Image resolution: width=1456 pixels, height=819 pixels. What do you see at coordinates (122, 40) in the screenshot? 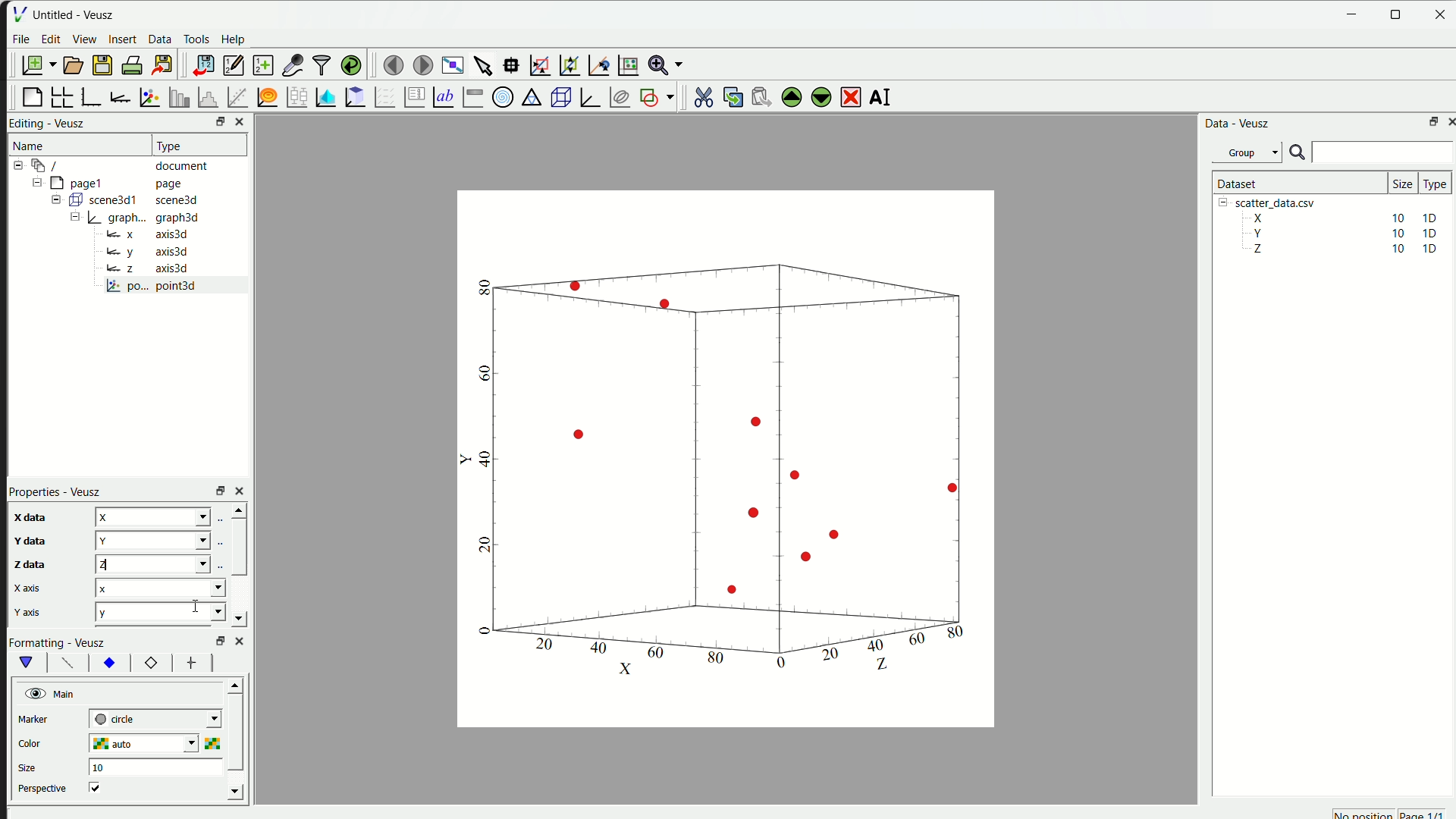
I see `insert` at bounding box center [122, 40].